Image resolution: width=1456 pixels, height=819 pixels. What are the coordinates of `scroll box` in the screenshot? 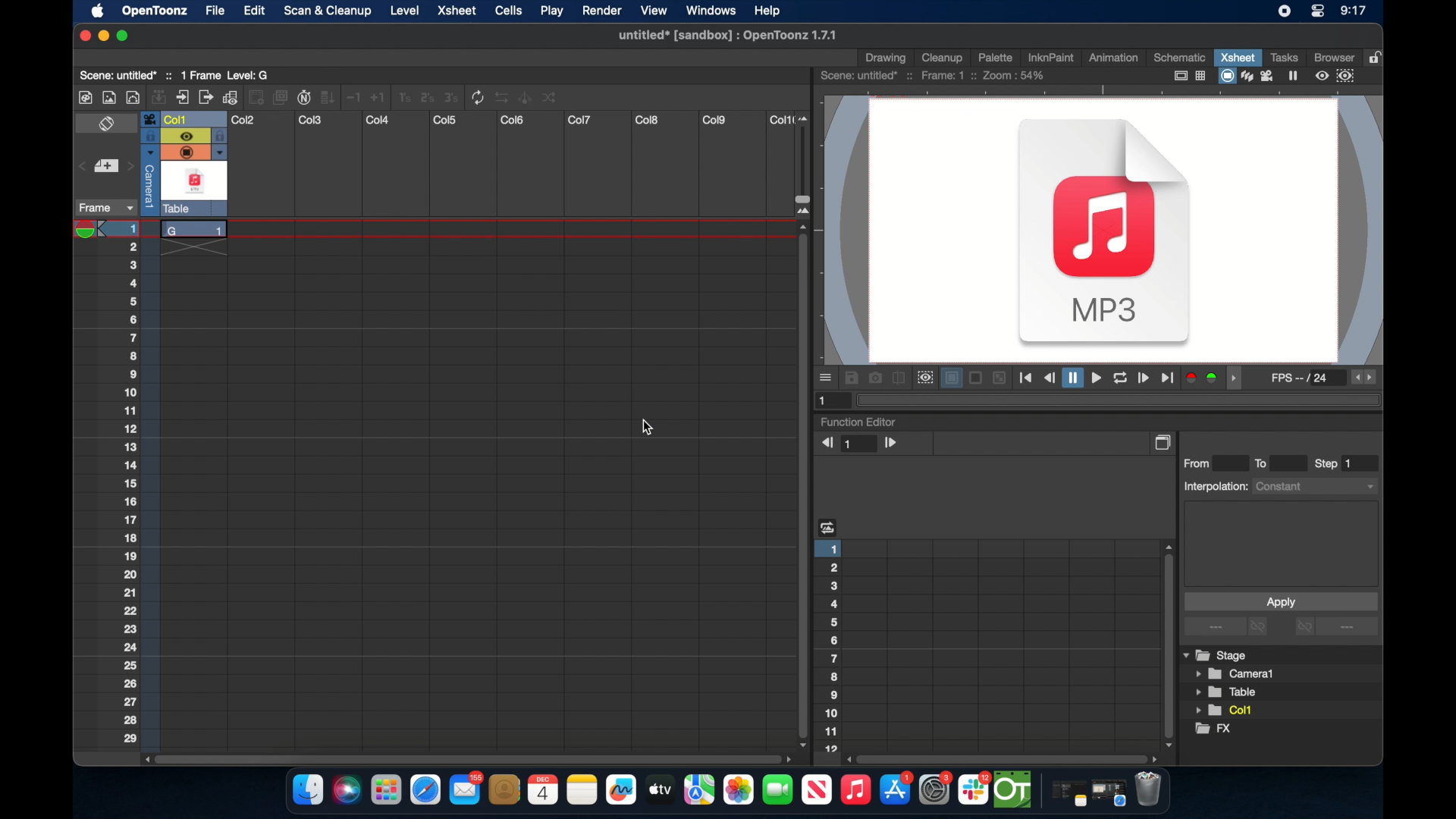 It's located at (1004, 758).